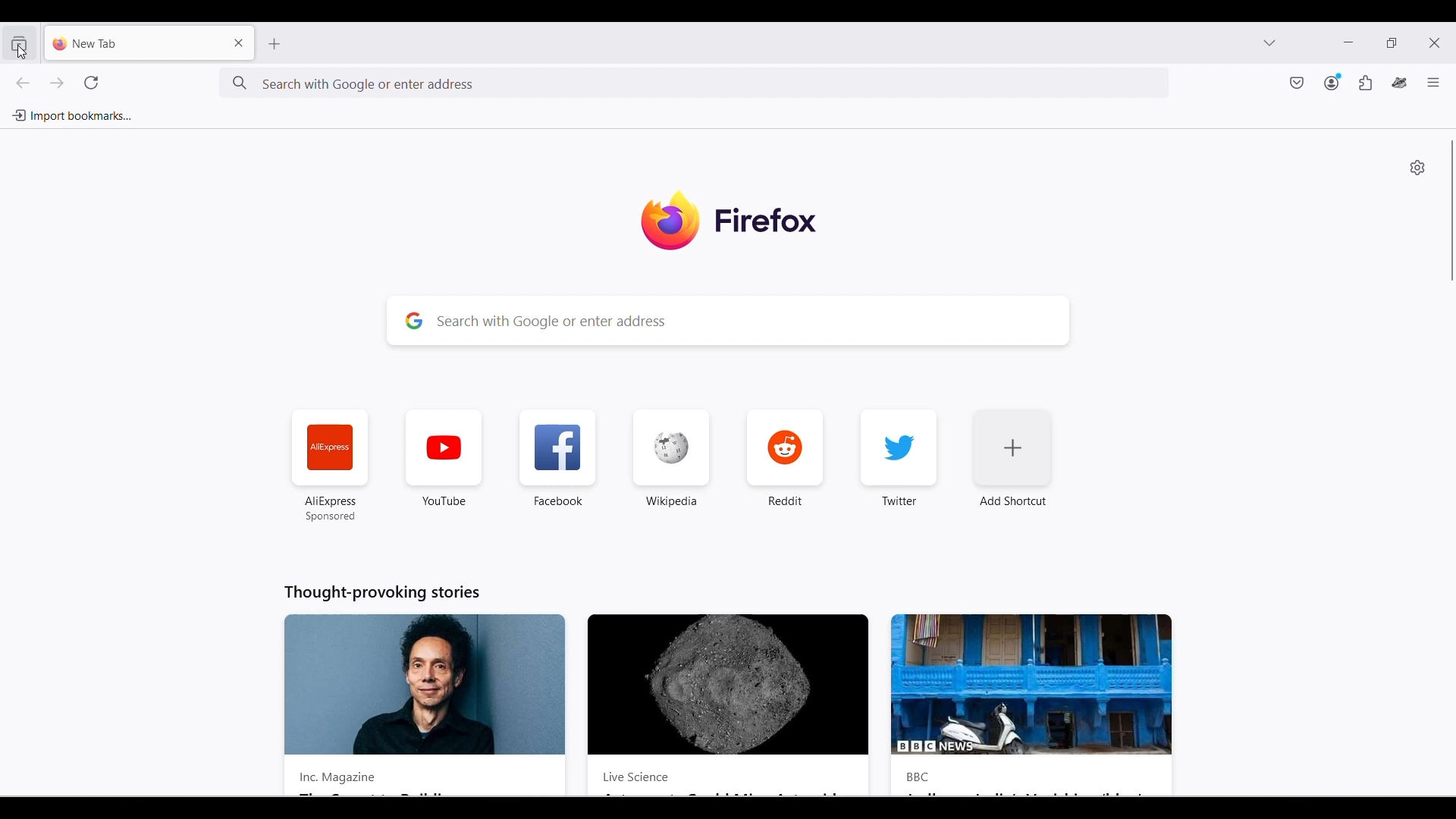 Image resolution: width=1456 pixels, height=819 pixels. Describe the element at coordinates (601, 83) in the screenshot. I see `Search with Google or enter address` at that location.